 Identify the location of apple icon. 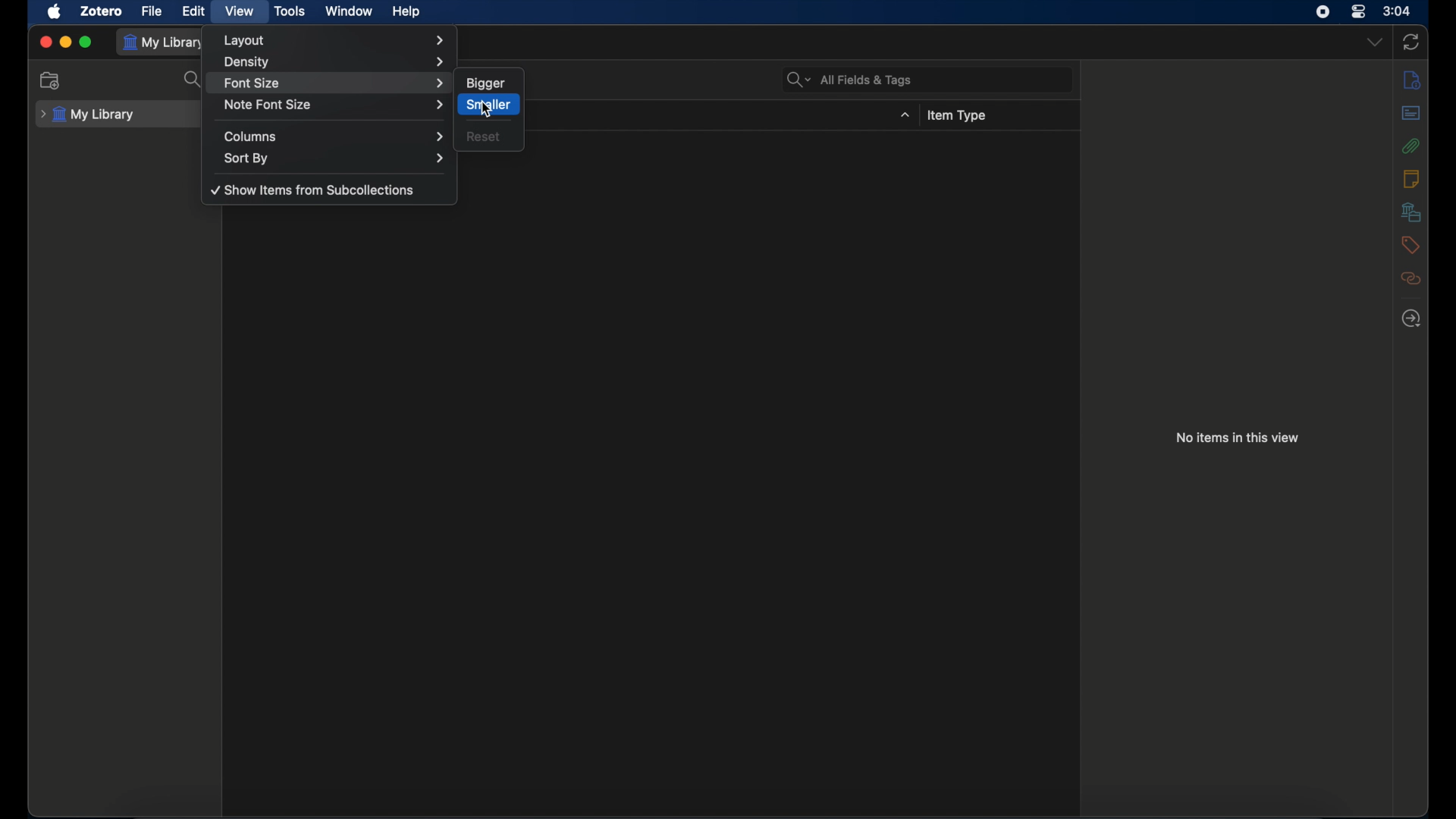
(55, 12).